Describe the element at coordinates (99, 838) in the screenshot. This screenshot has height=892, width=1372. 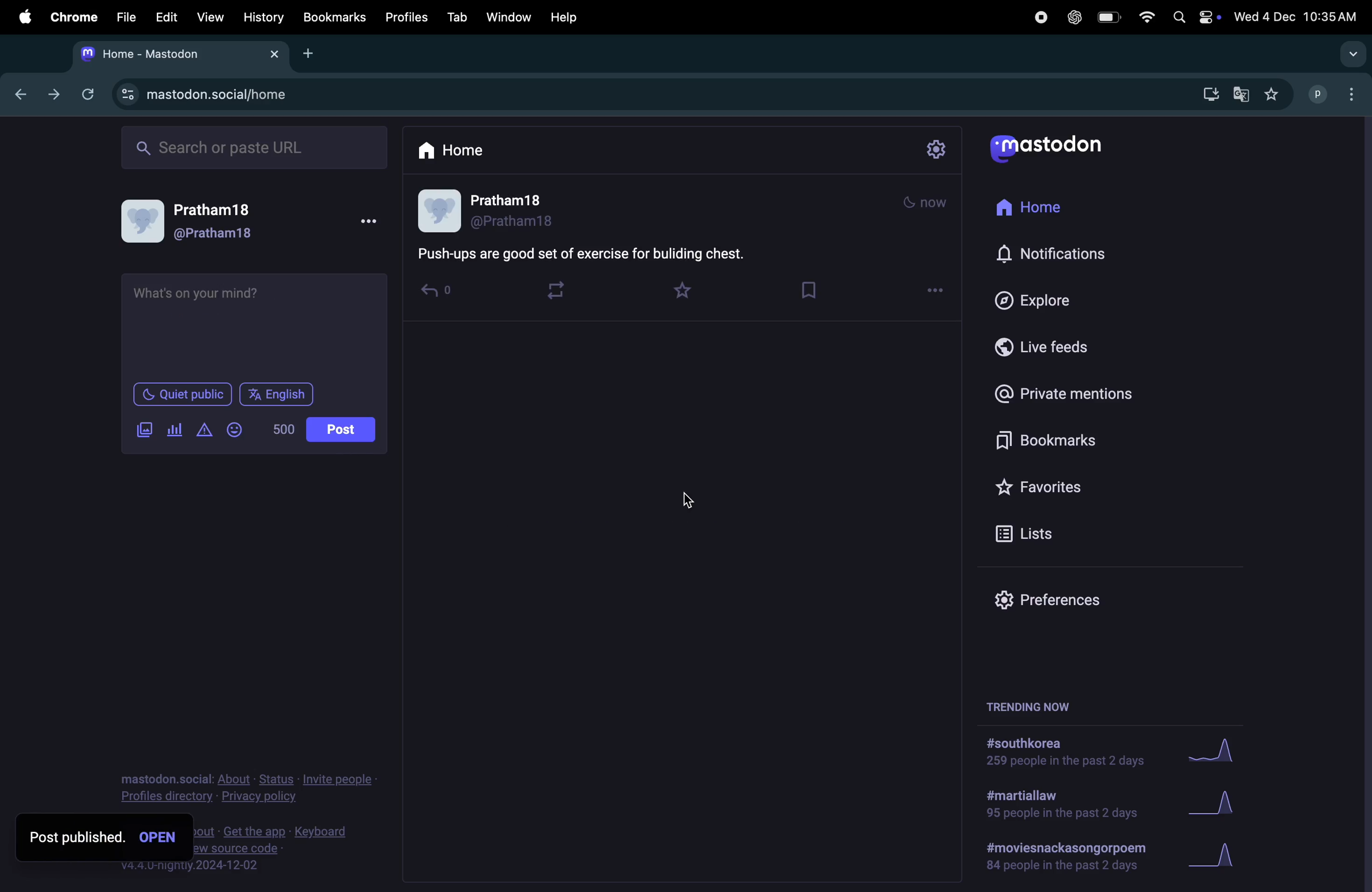
I see `post published` at that location.